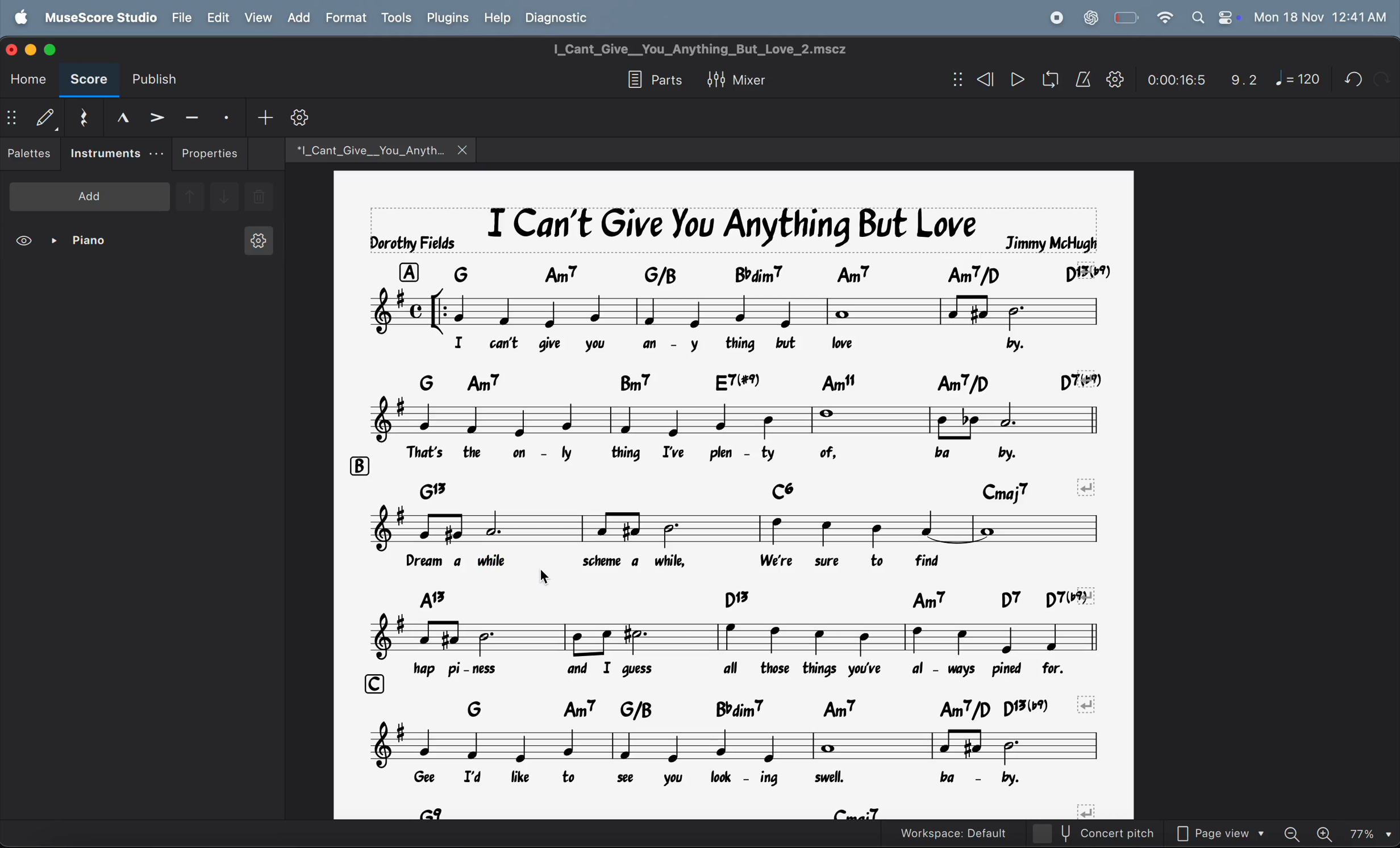  I want to click on lyrics, so click(706, 563).